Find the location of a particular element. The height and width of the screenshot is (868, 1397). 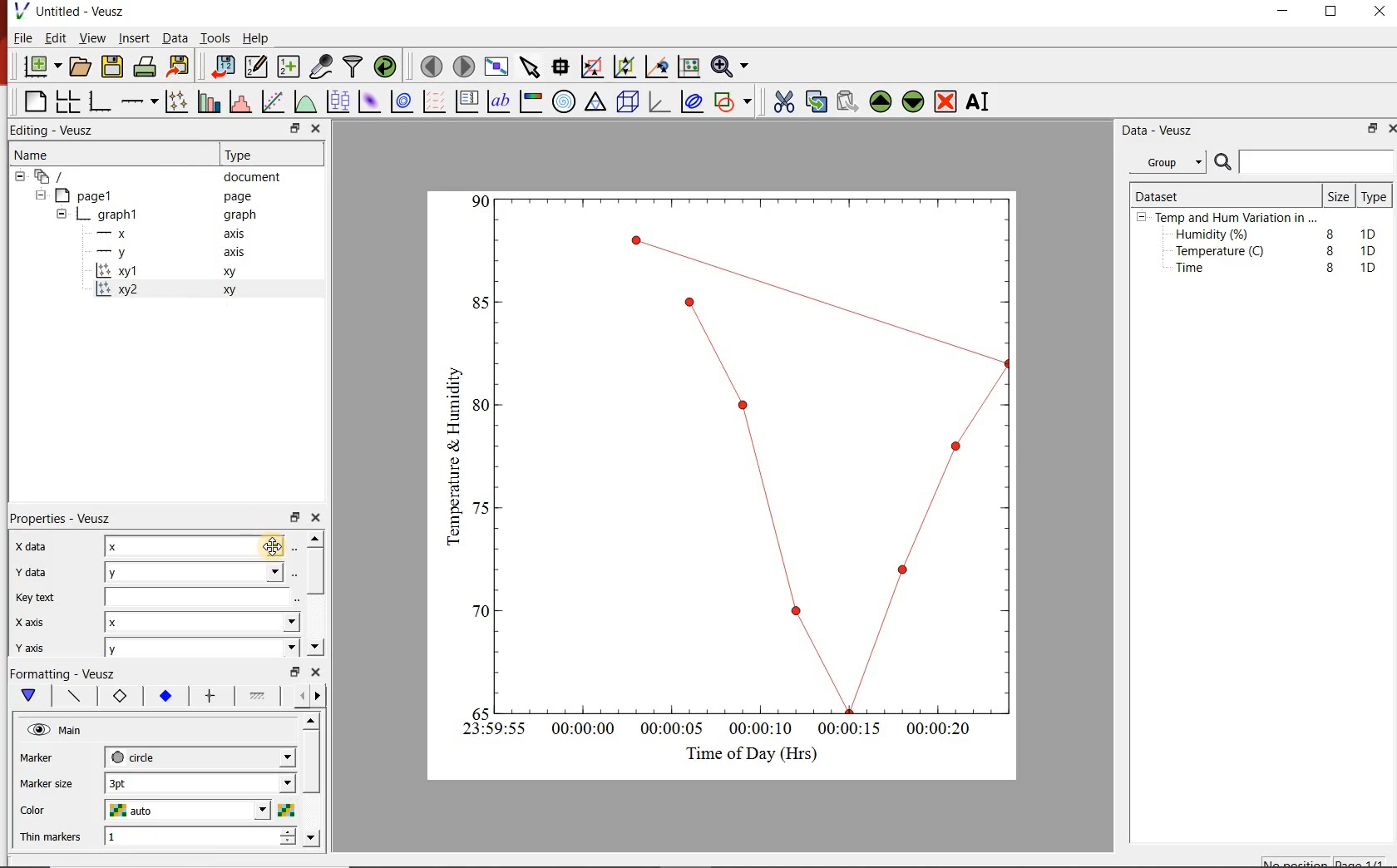

plot line is located at coordinates (75, 697).